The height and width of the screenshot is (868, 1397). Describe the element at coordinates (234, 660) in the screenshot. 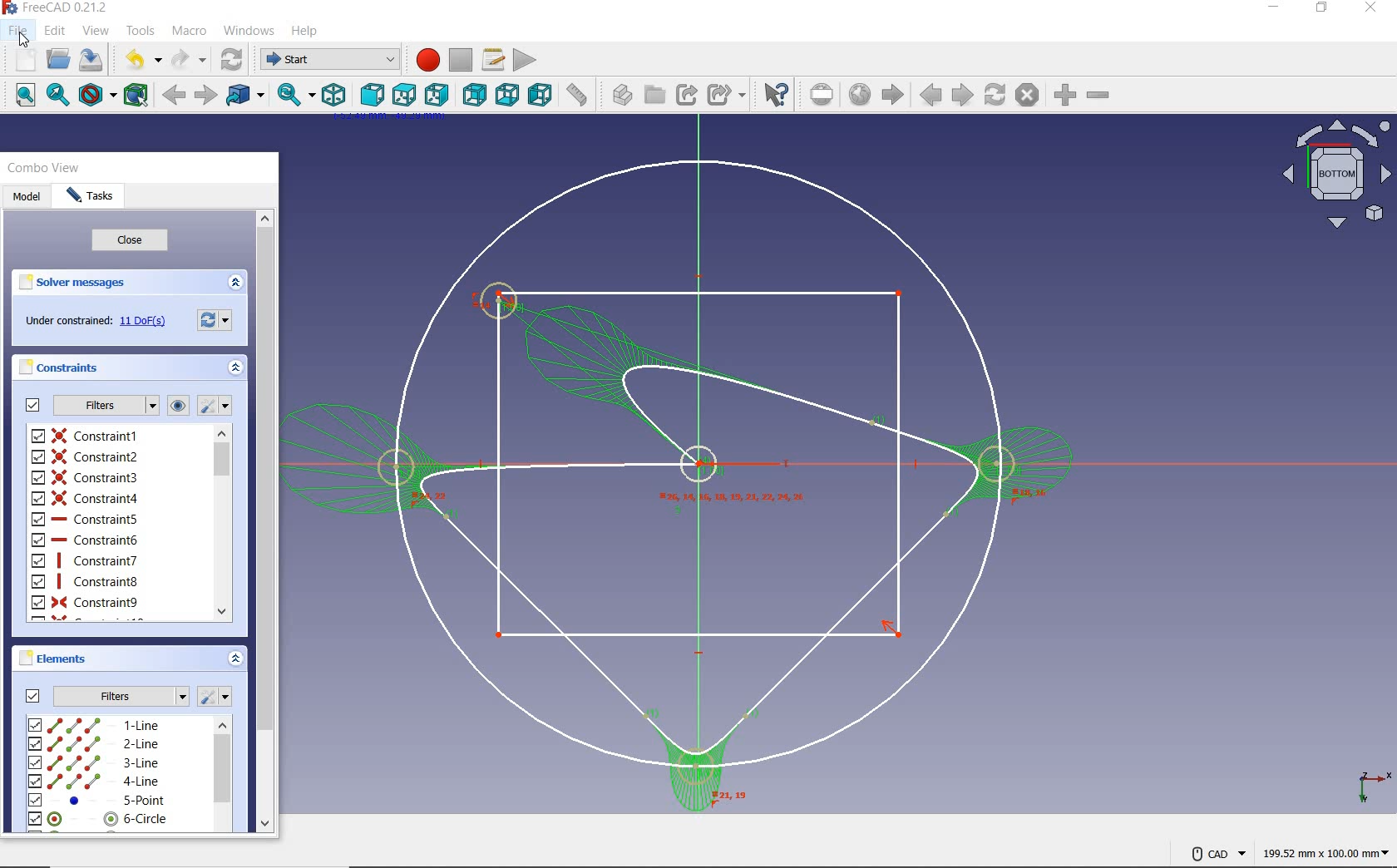

I see `expand` at that location.